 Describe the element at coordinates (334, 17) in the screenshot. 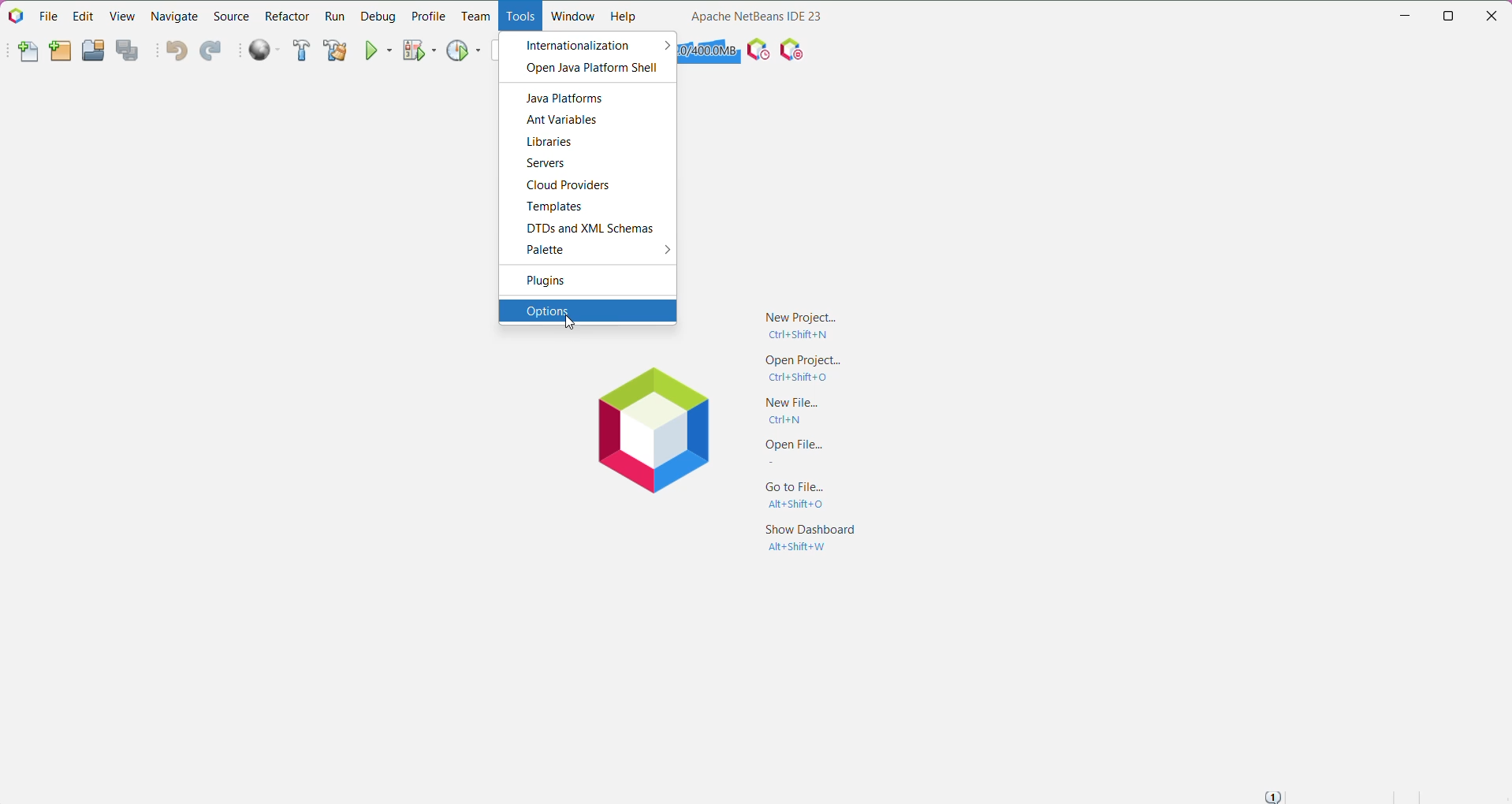

I see `Run` at that location.